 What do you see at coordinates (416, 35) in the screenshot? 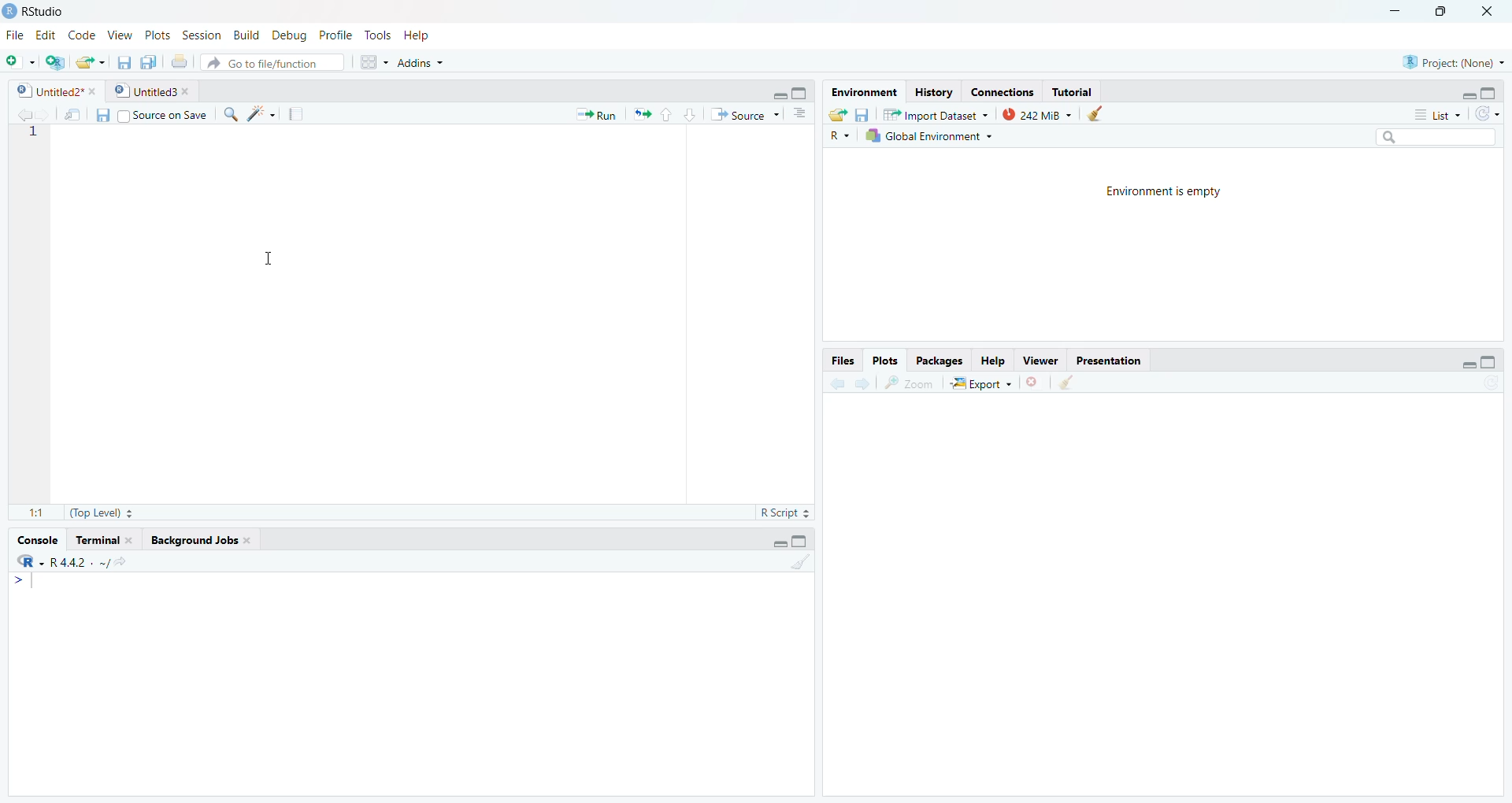
I see `Help` at bounding box center [416, 35].